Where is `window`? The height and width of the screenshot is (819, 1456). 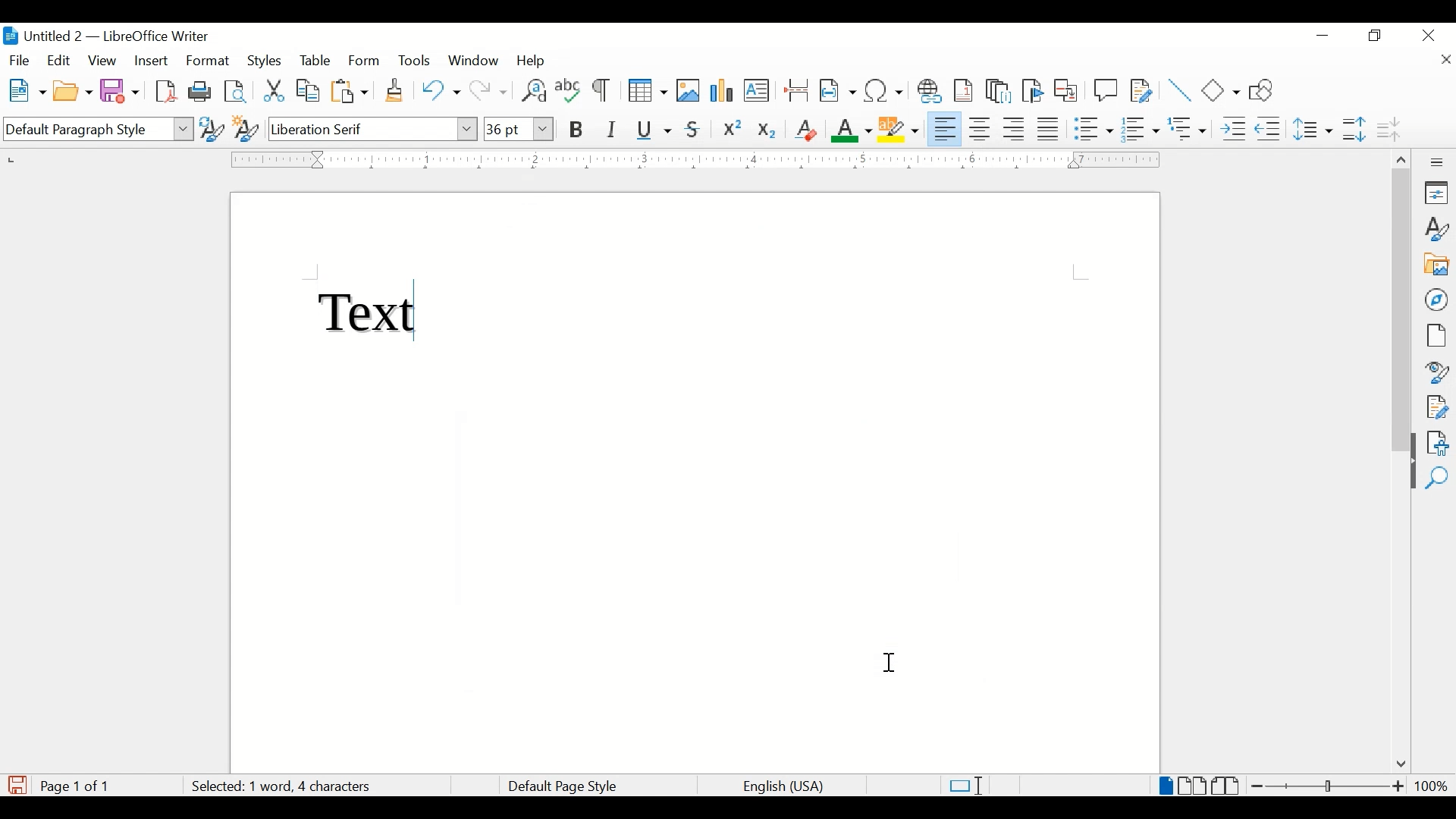 window is located at coordinates (475, 61).